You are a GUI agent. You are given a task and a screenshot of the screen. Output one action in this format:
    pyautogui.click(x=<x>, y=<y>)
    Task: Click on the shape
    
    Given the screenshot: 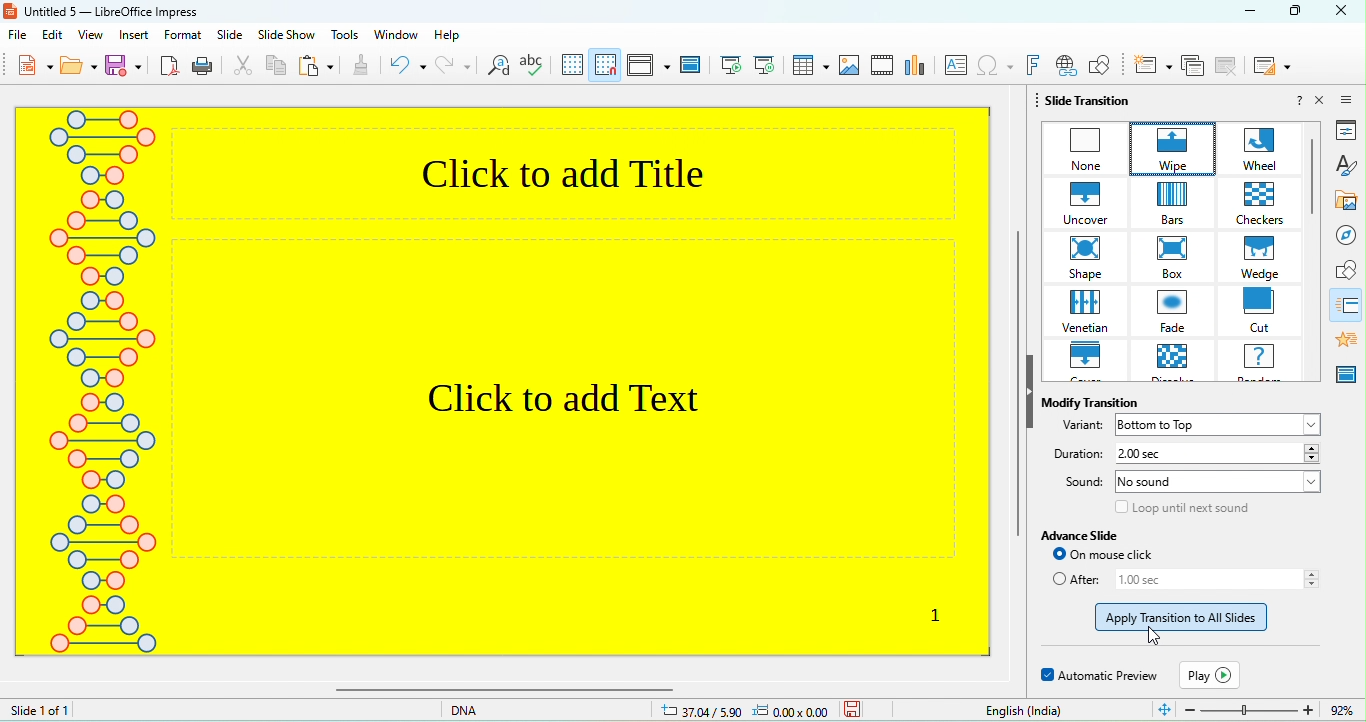 What is the action you would take?
    pyautogui.click(x=1084, y=257)
    